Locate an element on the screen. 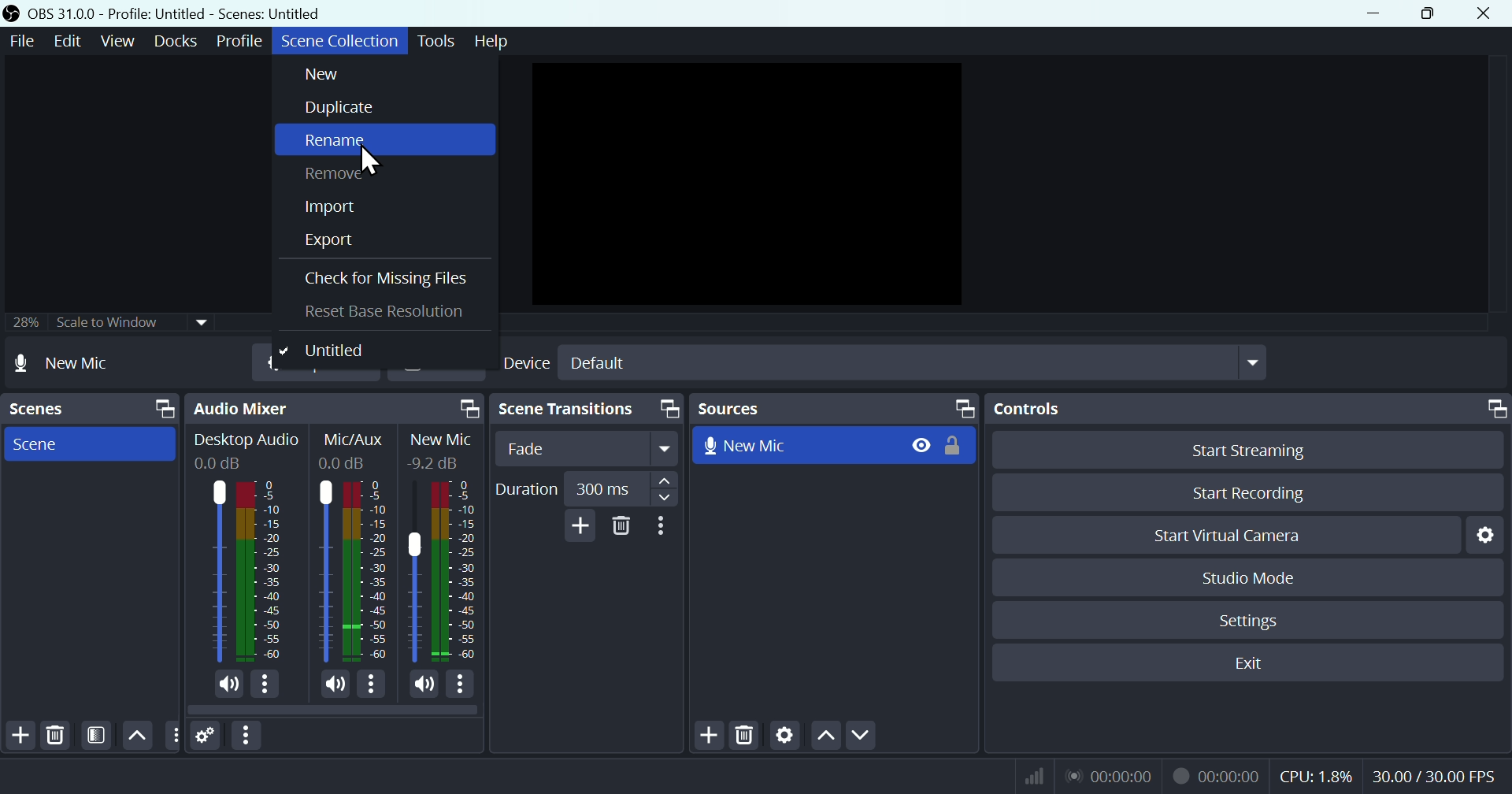 The width and height of the screenshot is (1512, 794). OBS Studio Desktop Icon is located at coordinates (13, 12).